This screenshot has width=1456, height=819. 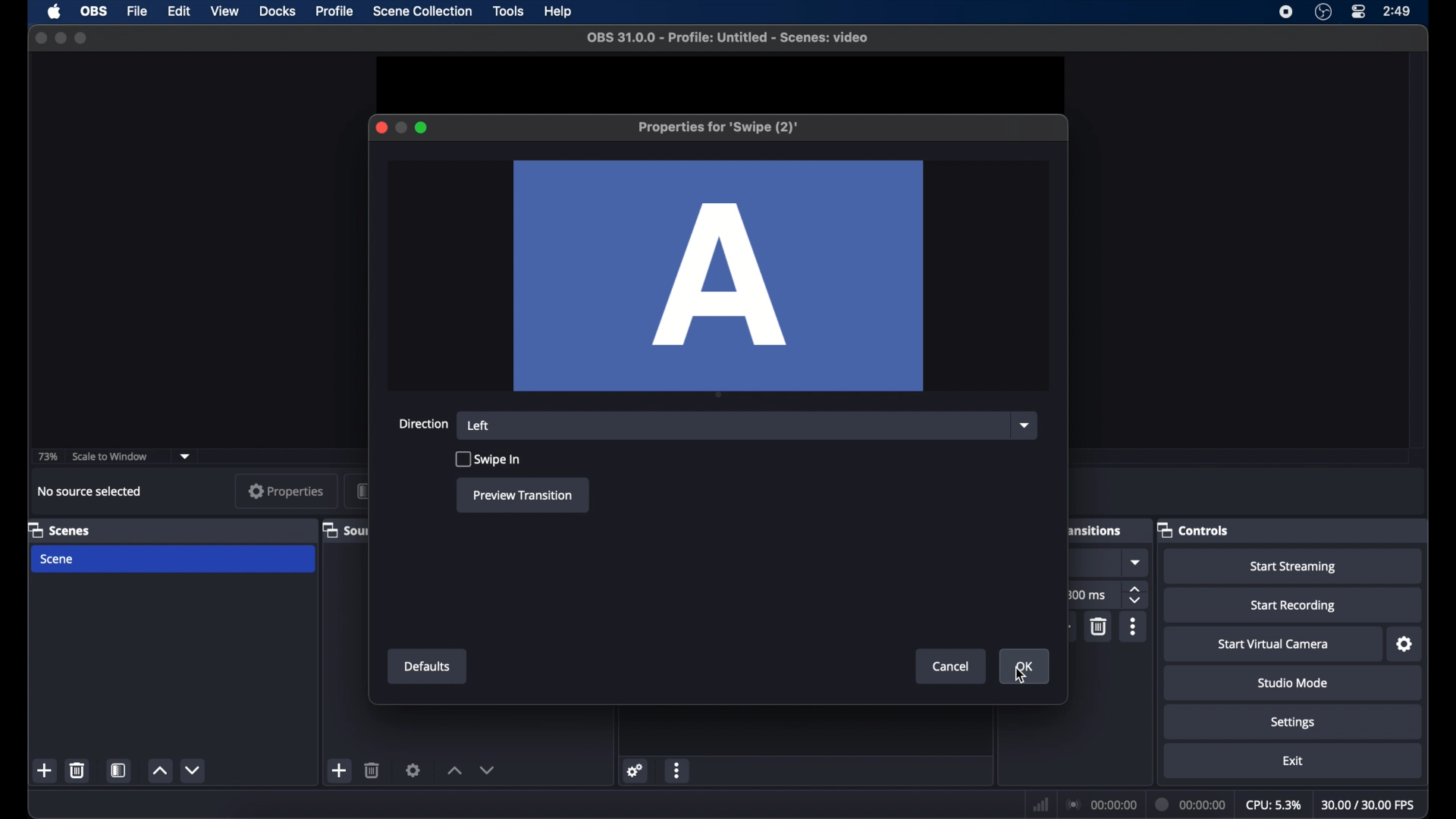 What do you see at coordinates (1188, 803) in the screenshot?
I see `duration` at bounding box center [1188, 803].